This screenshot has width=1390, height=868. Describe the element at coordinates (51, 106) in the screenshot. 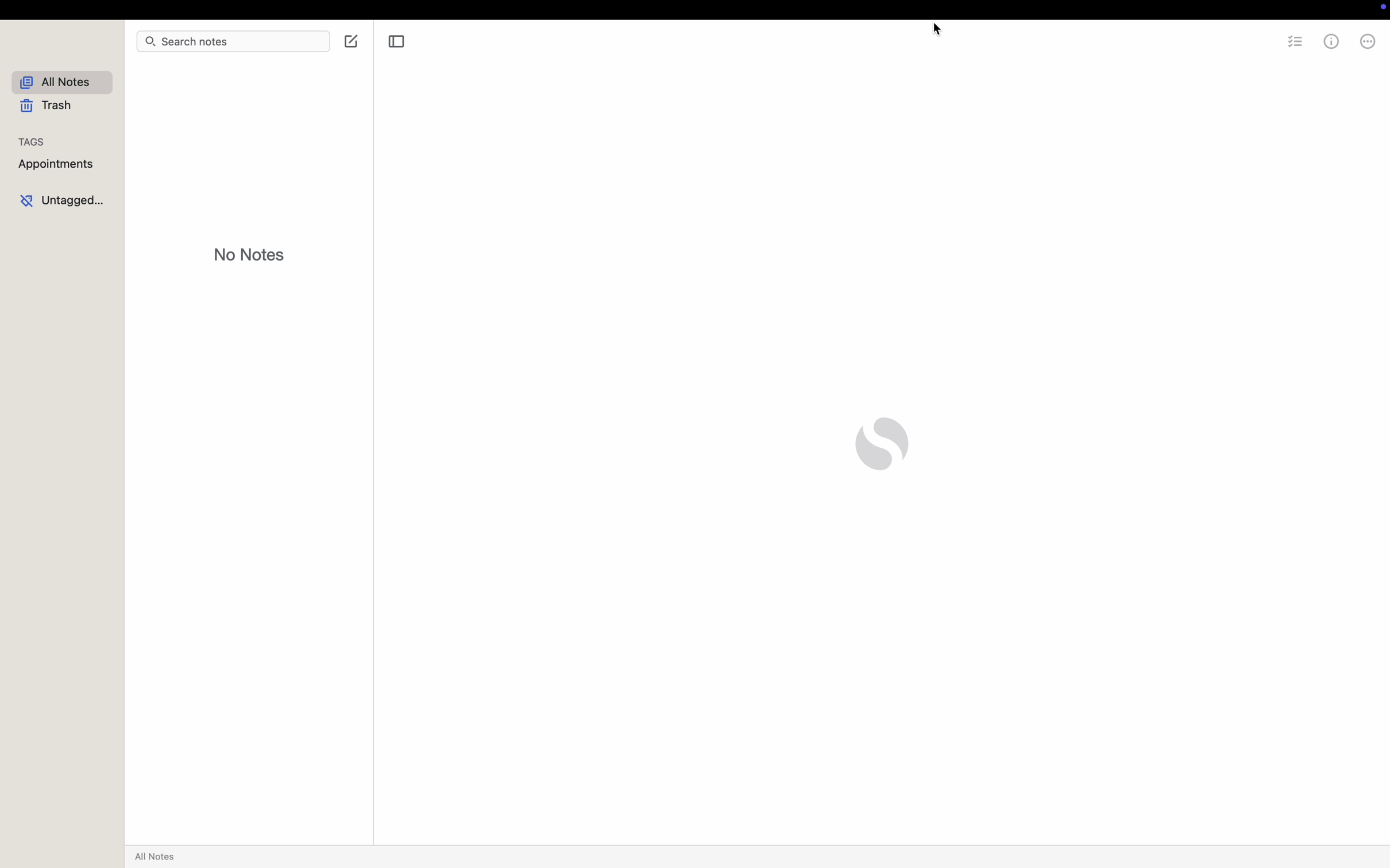

I see `trash` at that location.